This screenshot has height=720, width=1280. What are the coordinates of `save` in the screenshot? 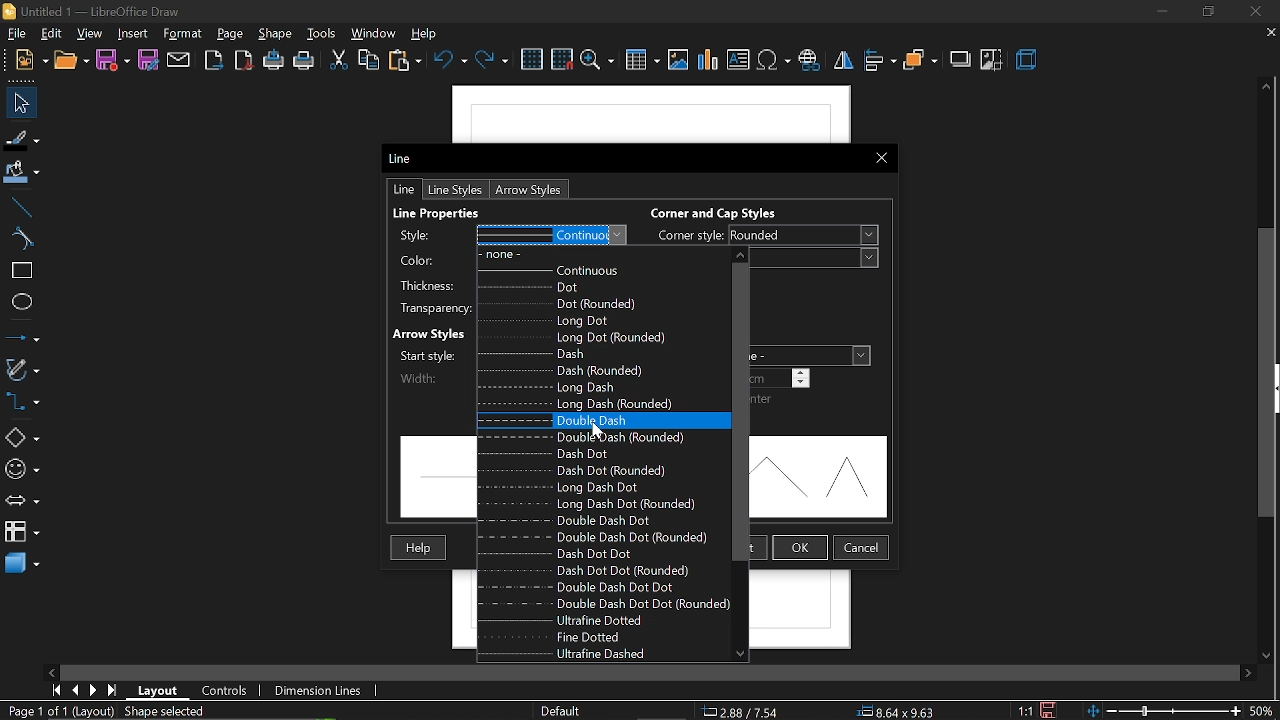 It's located at (113, 61).